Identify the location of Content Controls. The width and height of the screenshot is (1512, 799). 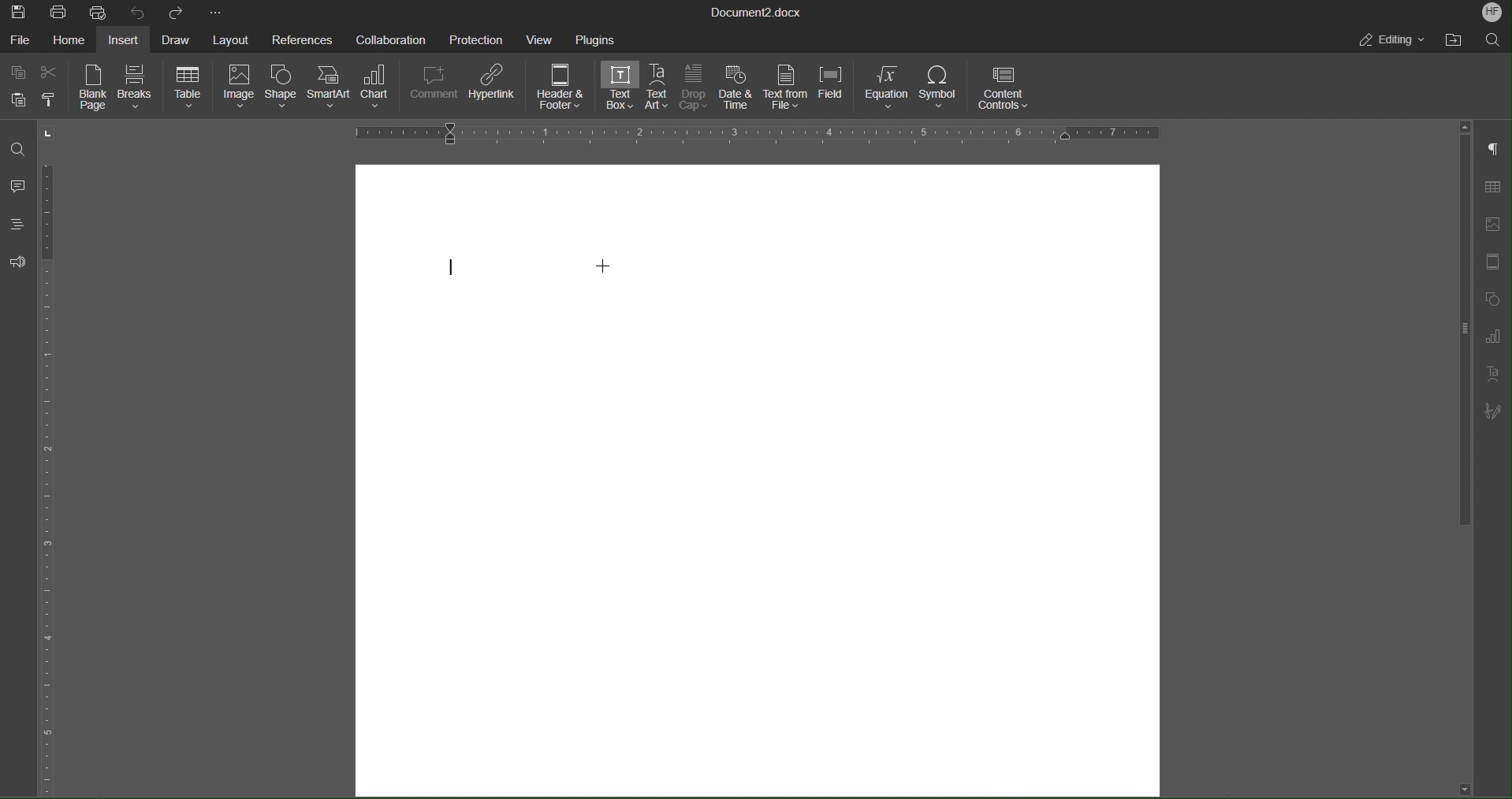
(1005, 87).